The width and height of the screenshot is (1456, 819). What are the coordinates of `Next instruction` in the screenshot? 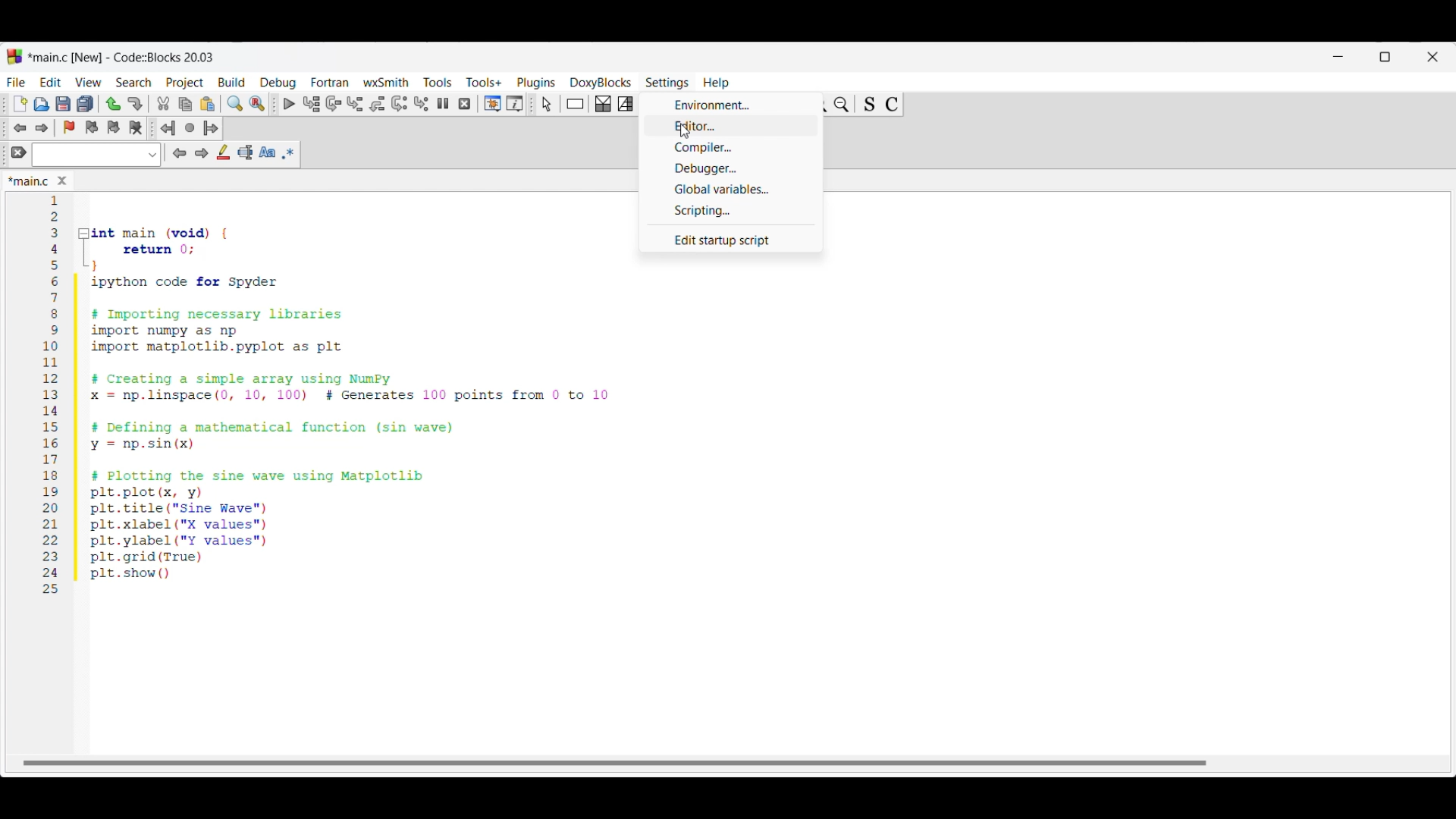 It's located at (399, 104).